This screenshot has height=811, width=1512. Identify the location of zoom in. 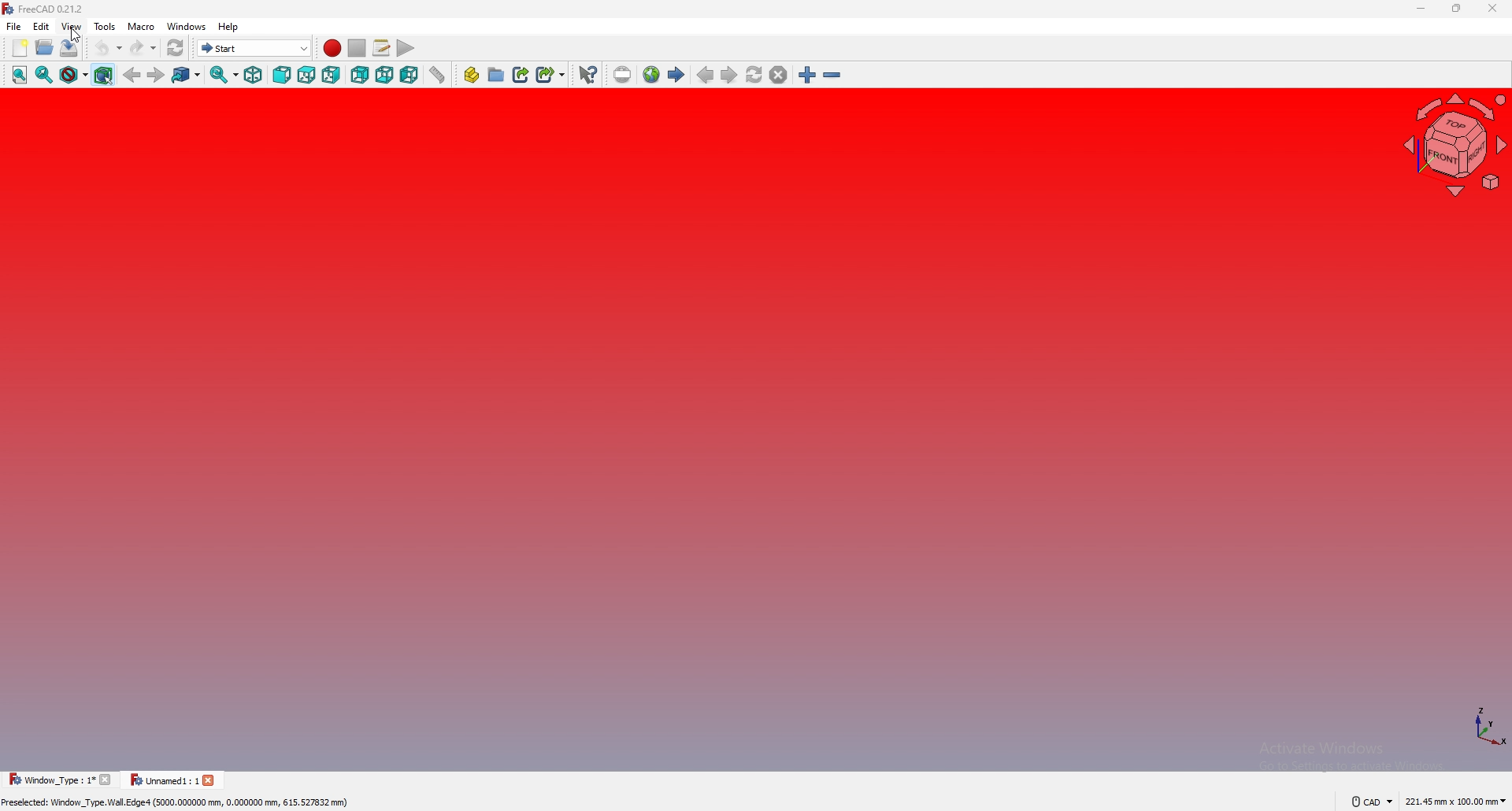
(807, 75).